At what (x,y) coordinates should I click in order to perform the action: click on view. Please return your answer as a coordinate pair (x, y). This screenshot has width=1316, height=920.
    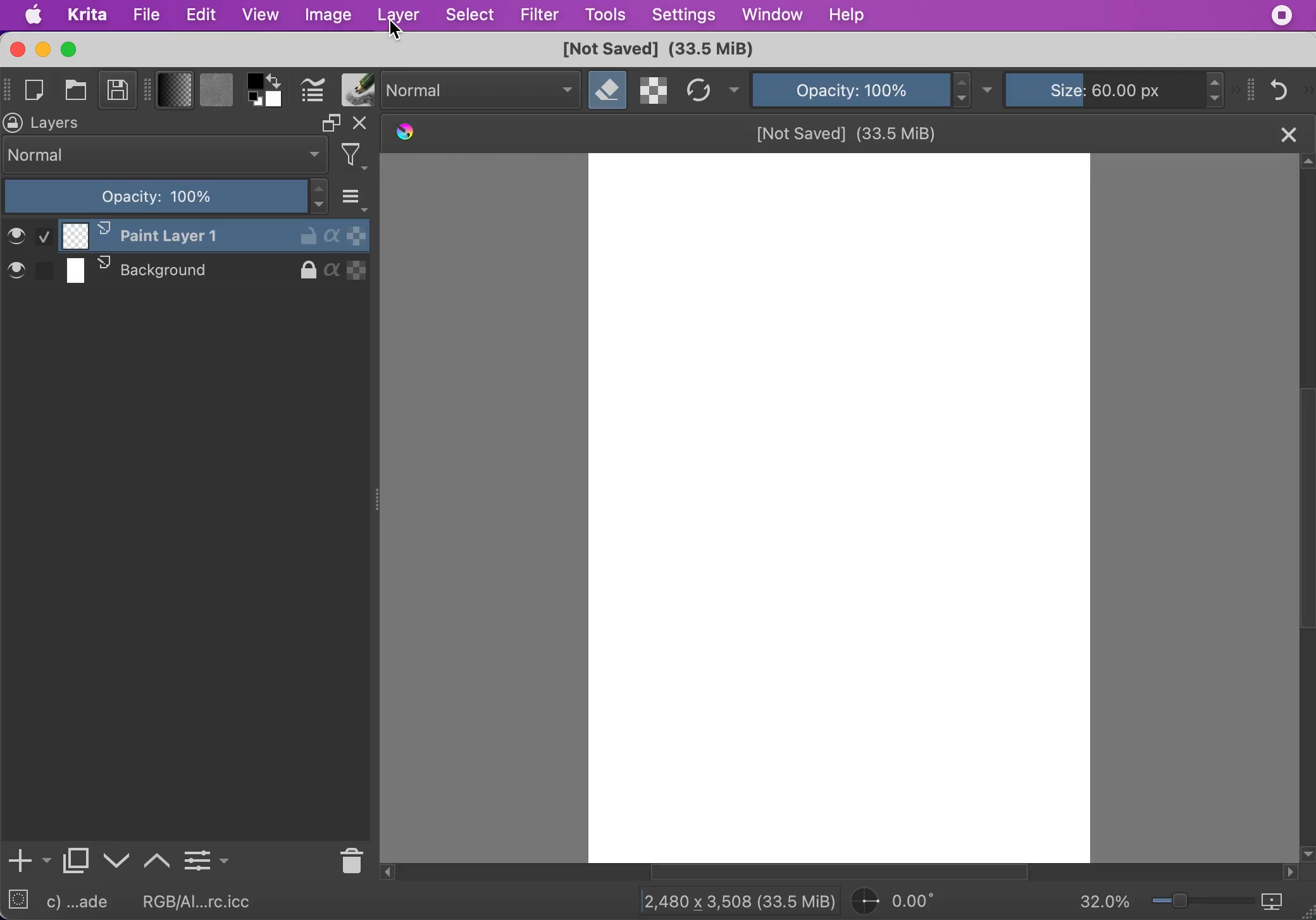
    Looking at the image, I should click on (260, 14).